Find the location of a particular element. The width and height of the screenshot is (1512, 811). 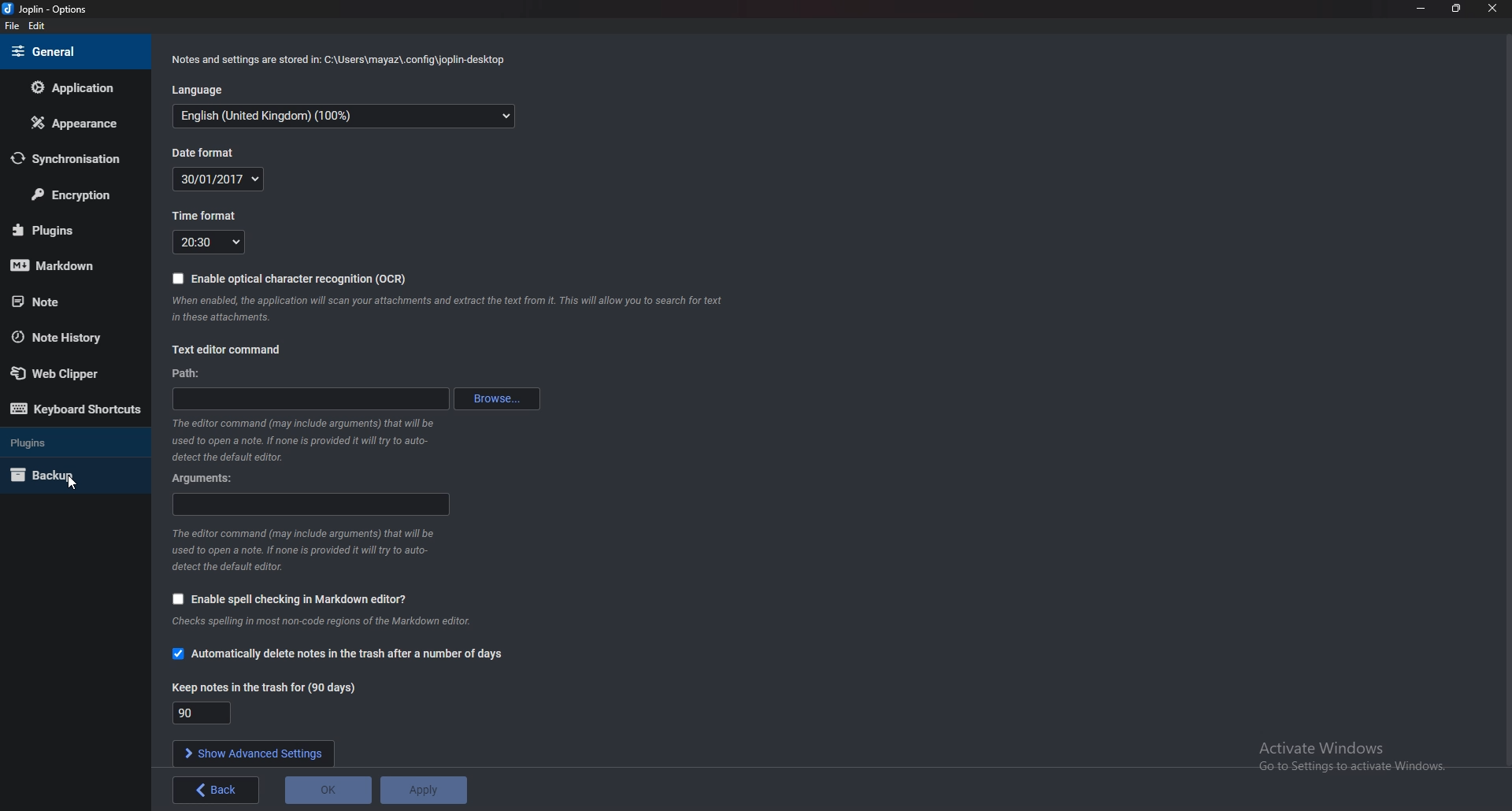

Back up is located at coordinates (58, 475).